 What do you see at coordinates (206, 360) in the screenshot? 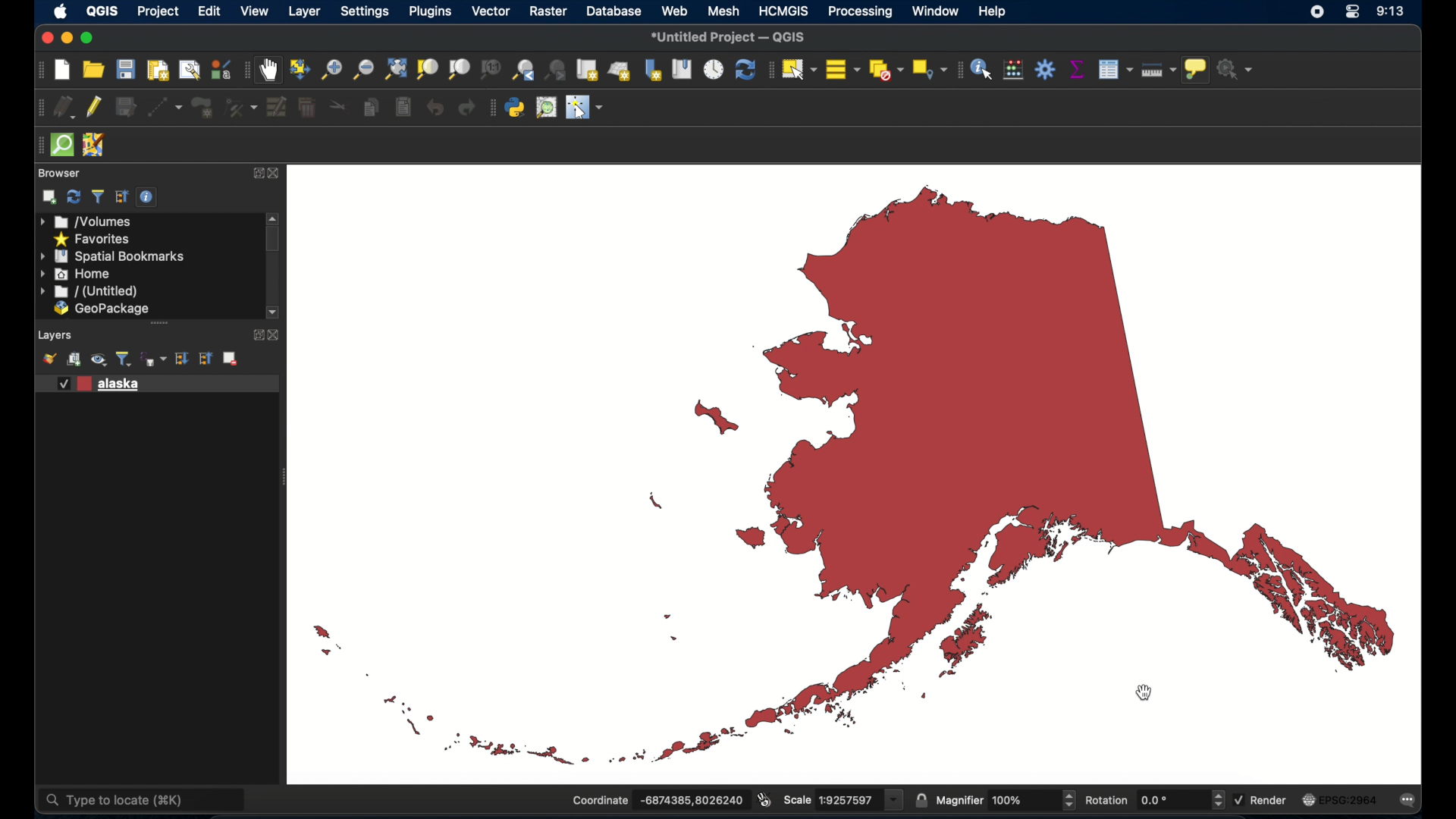
I see `collapse all` at bounding box center [206, 360].